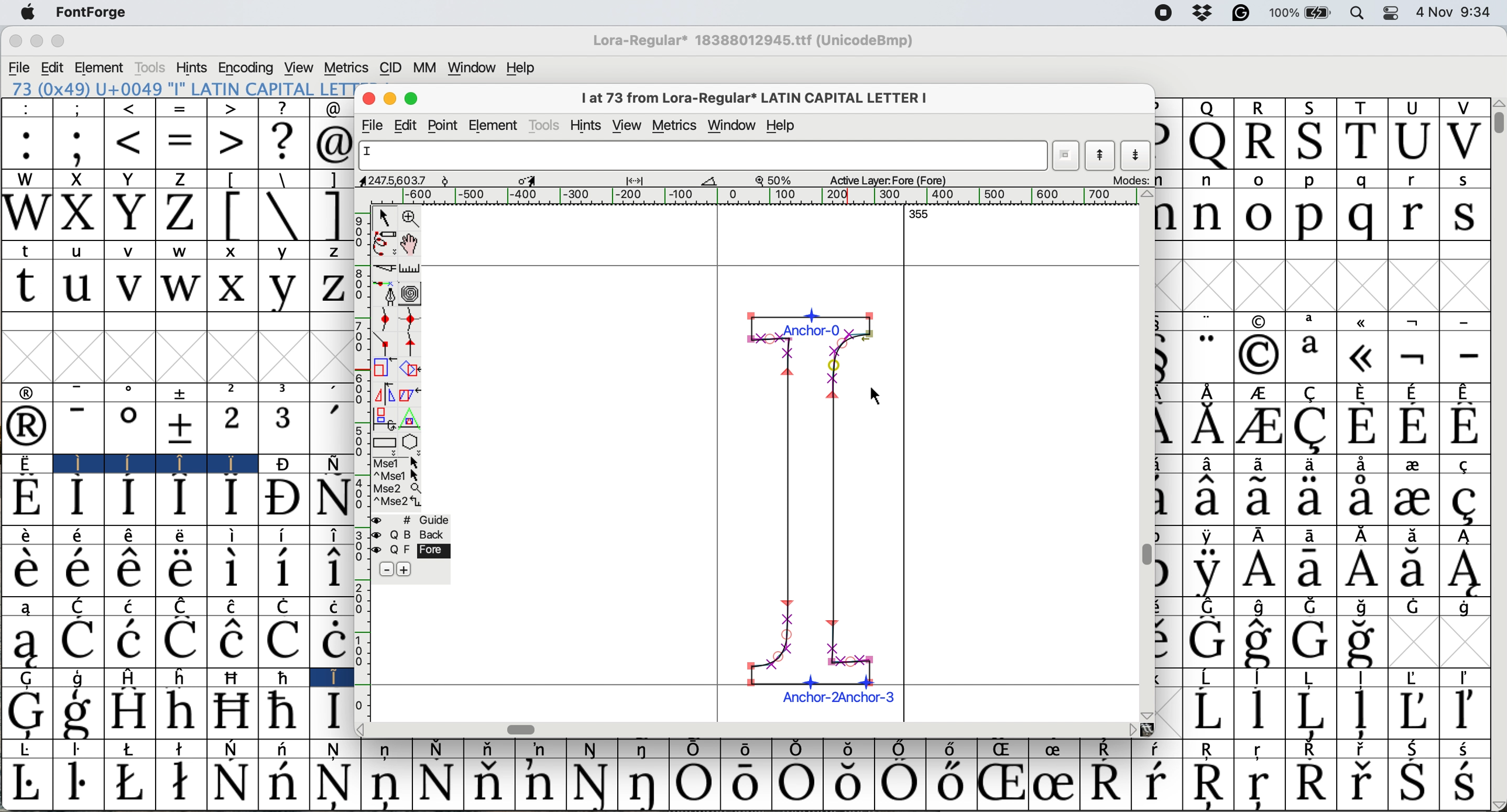 The width and height of the screenshot is (1507, 812). What do you see at coordinates (332, 429) in the screenshot?
I see `'` at bounding box center [332, 429].